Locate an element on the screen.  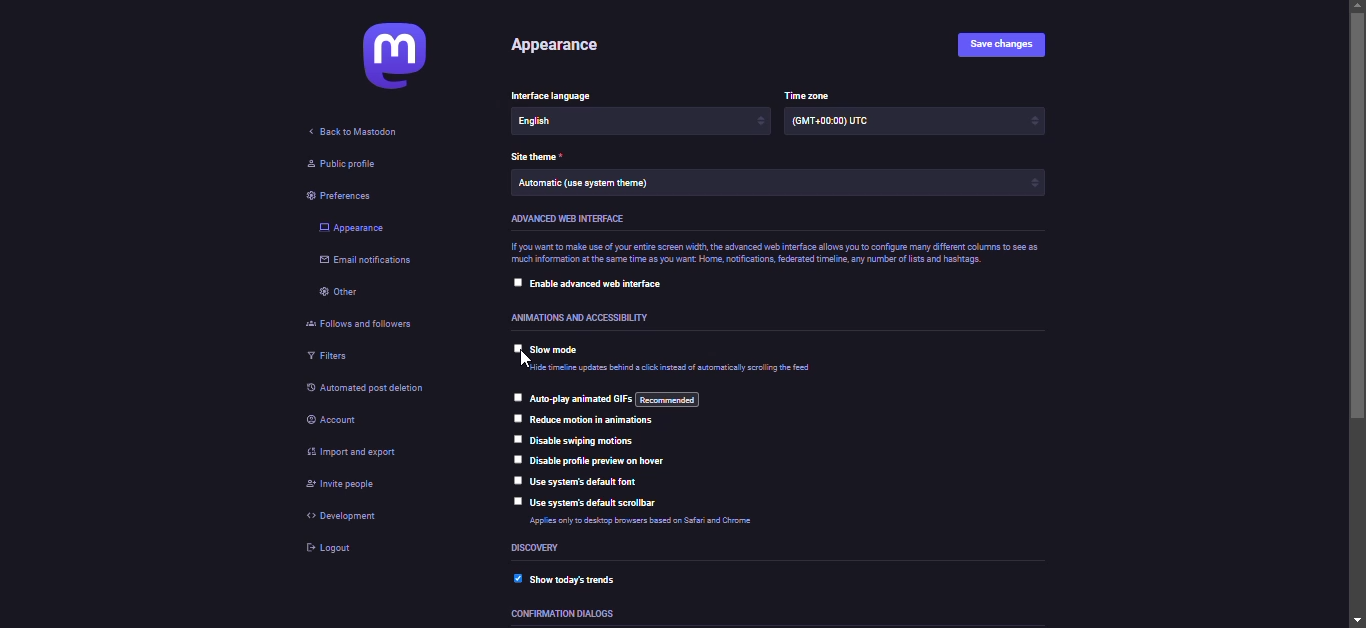
follows and followers is located at coordinates (360, 325).